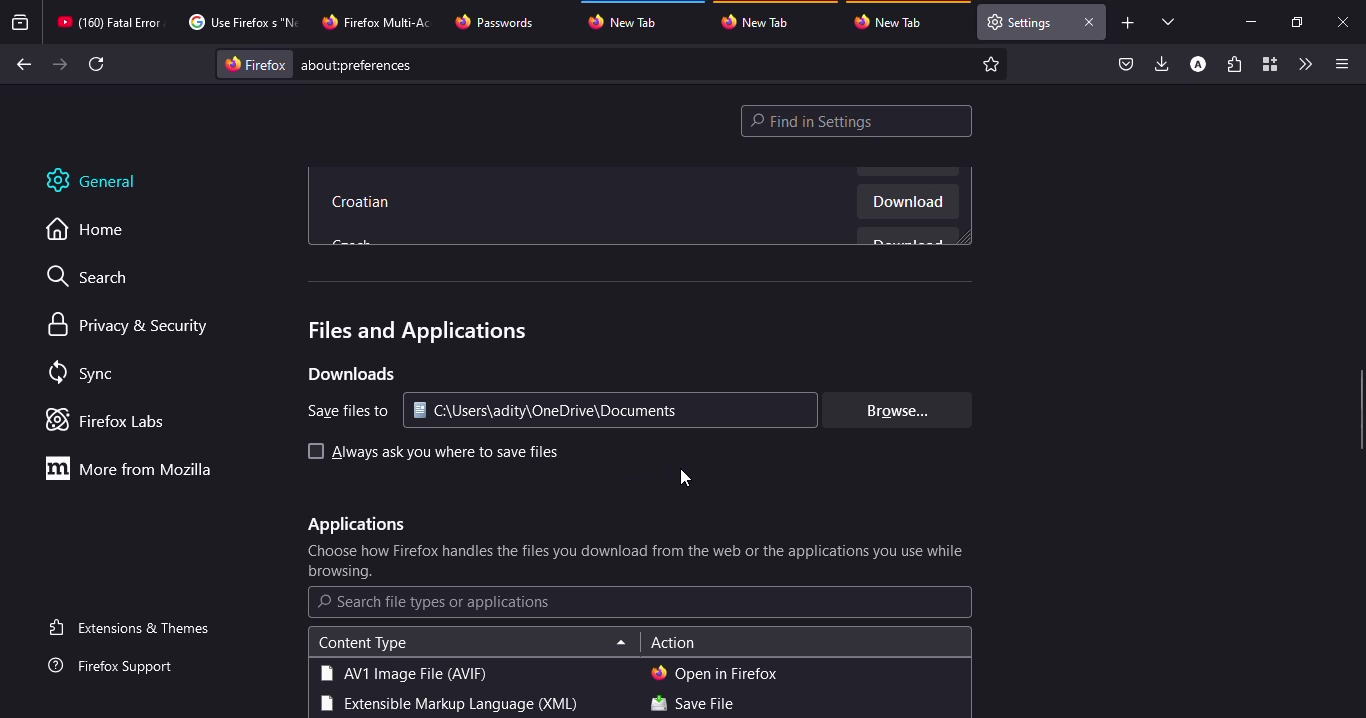 The height and width of the screenshot is (718, 1366). What do you see at coordinates (1088, 22) in the screenshot?
I see `close` at bounding box center [1088, 22].